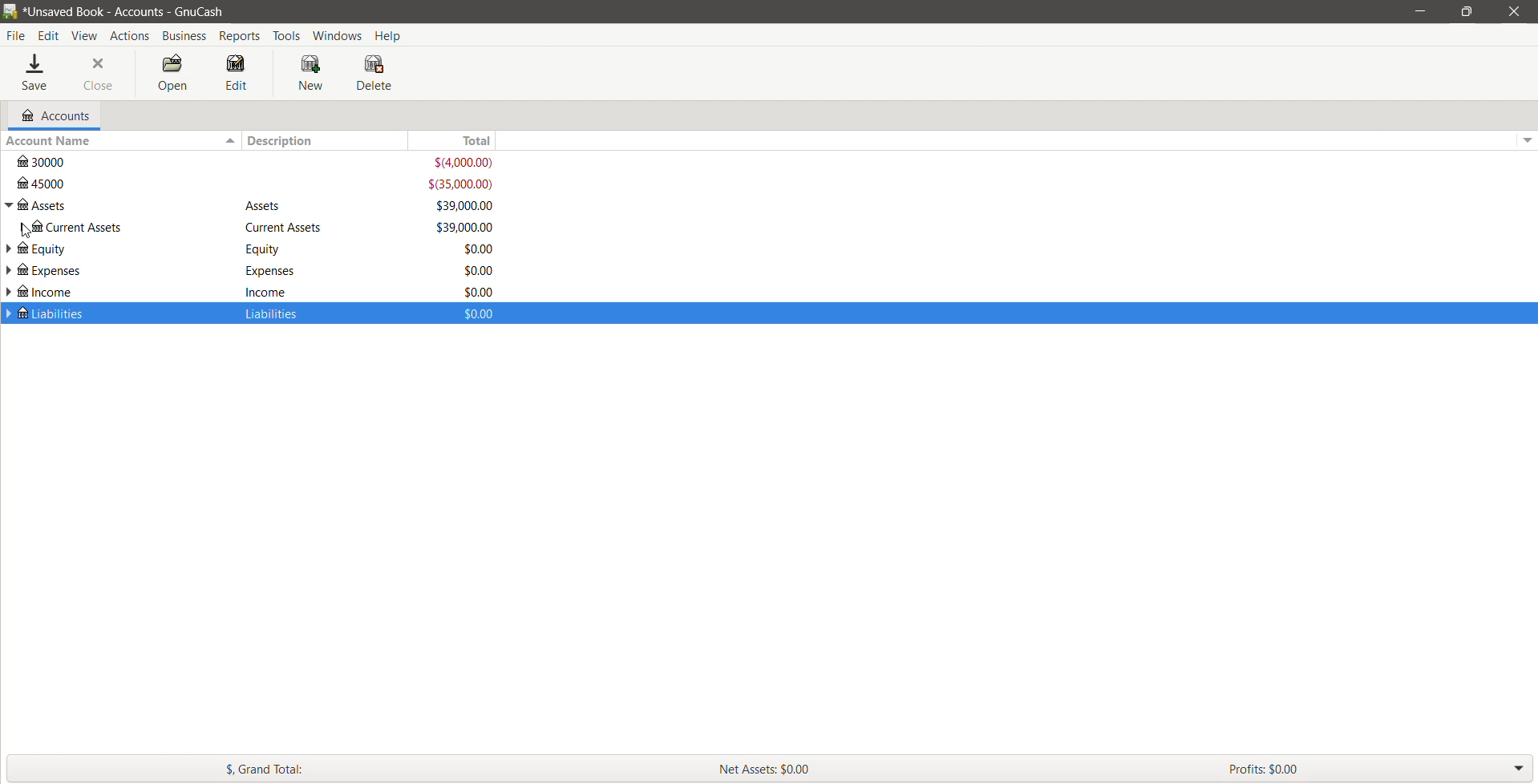 The image size is (1538, 784). What do you see at coordinates (461, 163) in the screenshot?
I see `$(4,000.00)` at bounding box center [461, 163].